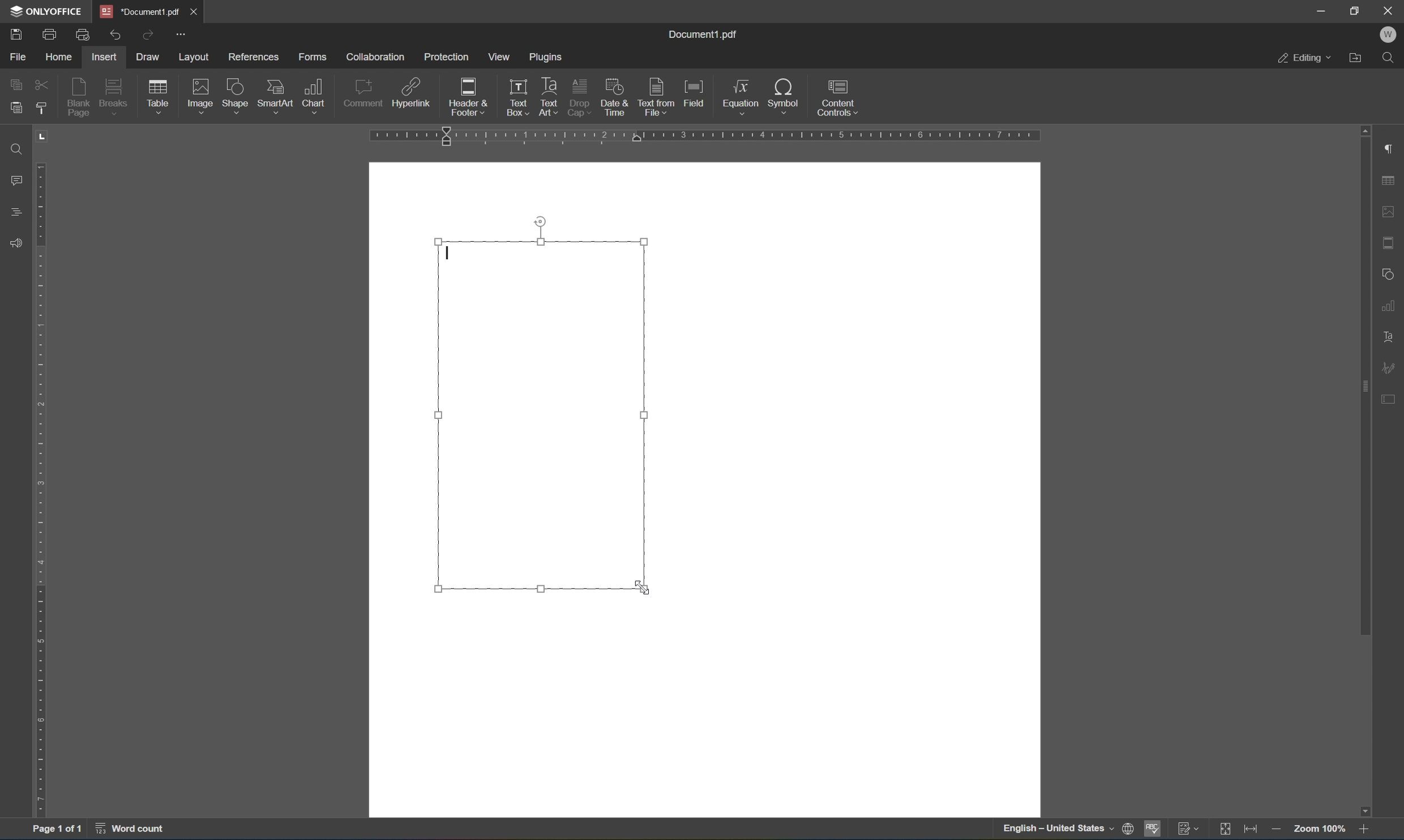  Describe the element at coordinates (1304, 59) in the screenshot. I see `Editing` at that location.